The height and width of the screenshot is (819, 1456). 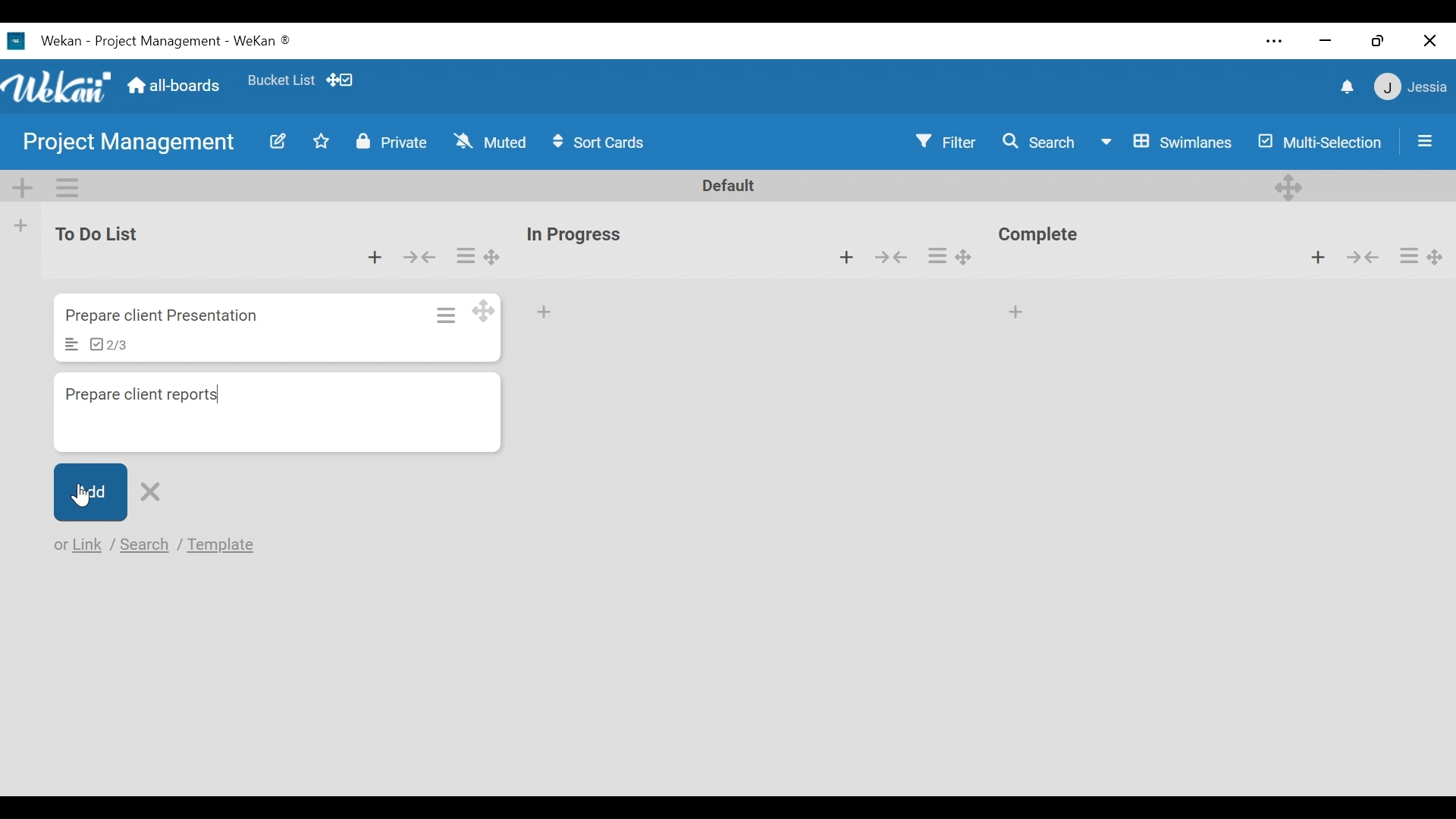 What do you see at coordinates (86, 491) in the screenshot?
I see `add` at bounding box center [86, 491].